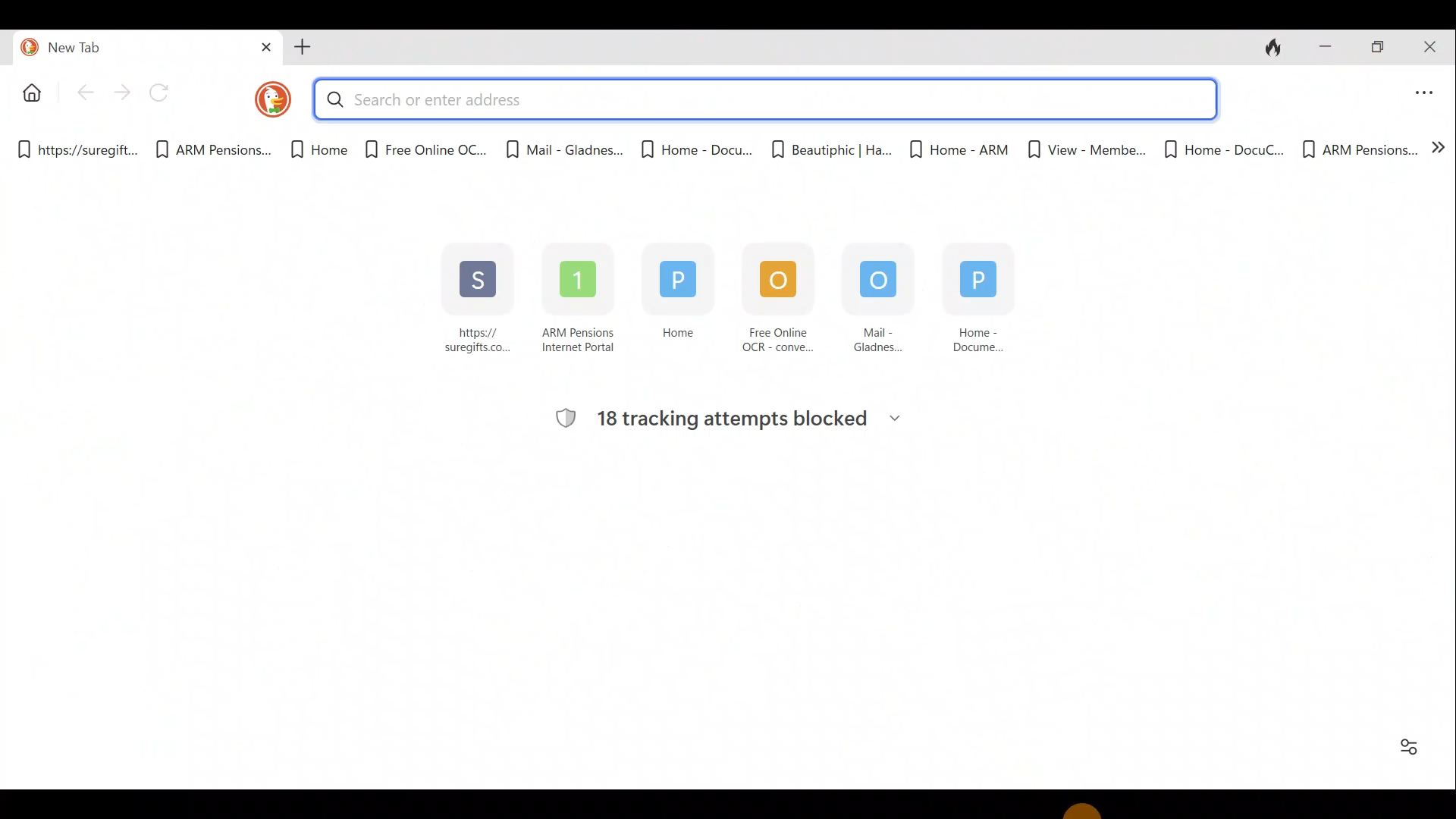  I want to click on Free Online OC..., so click(425, 144).